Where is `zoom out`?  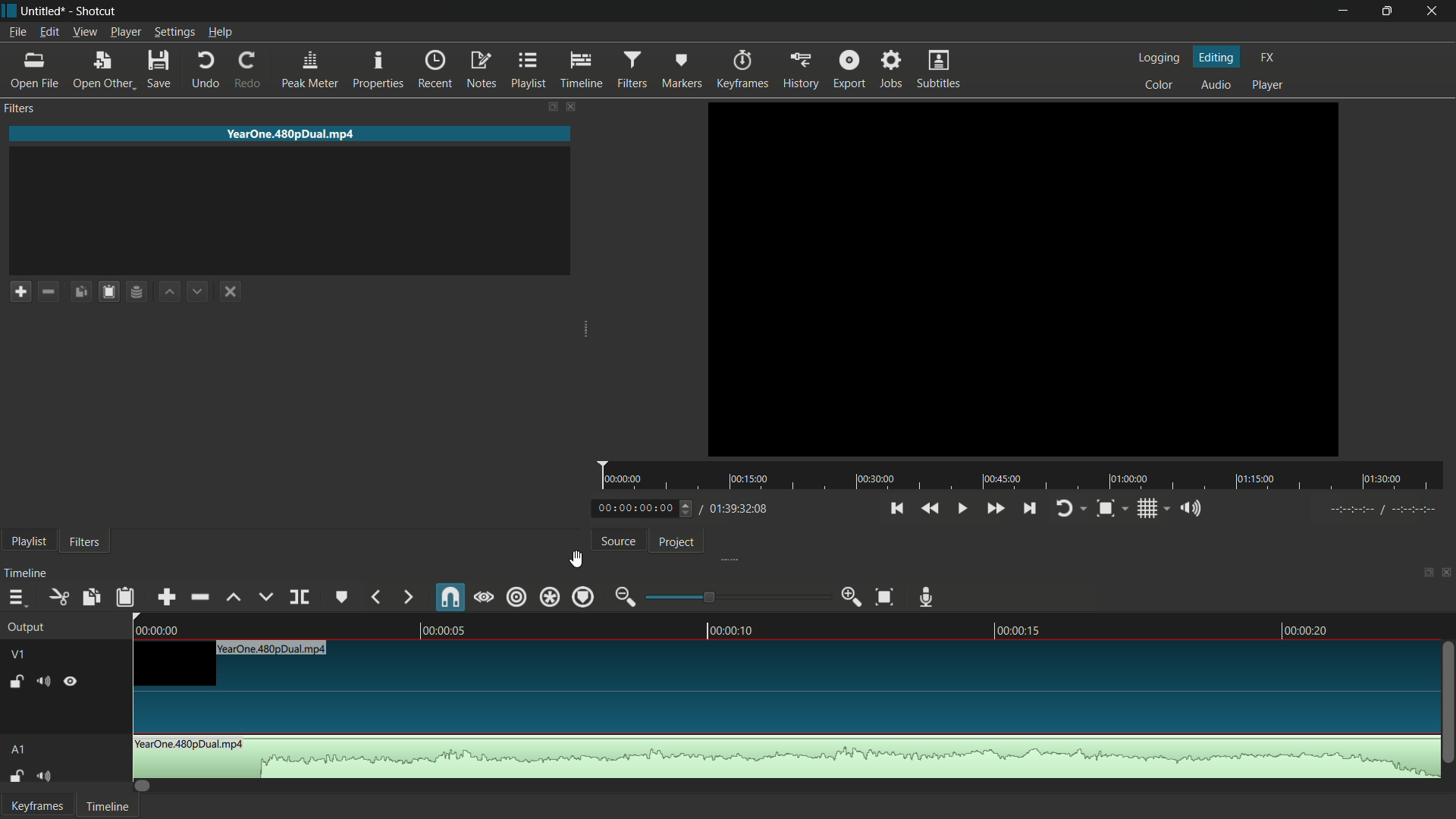 zoom out is located at coordinates (623, 595).